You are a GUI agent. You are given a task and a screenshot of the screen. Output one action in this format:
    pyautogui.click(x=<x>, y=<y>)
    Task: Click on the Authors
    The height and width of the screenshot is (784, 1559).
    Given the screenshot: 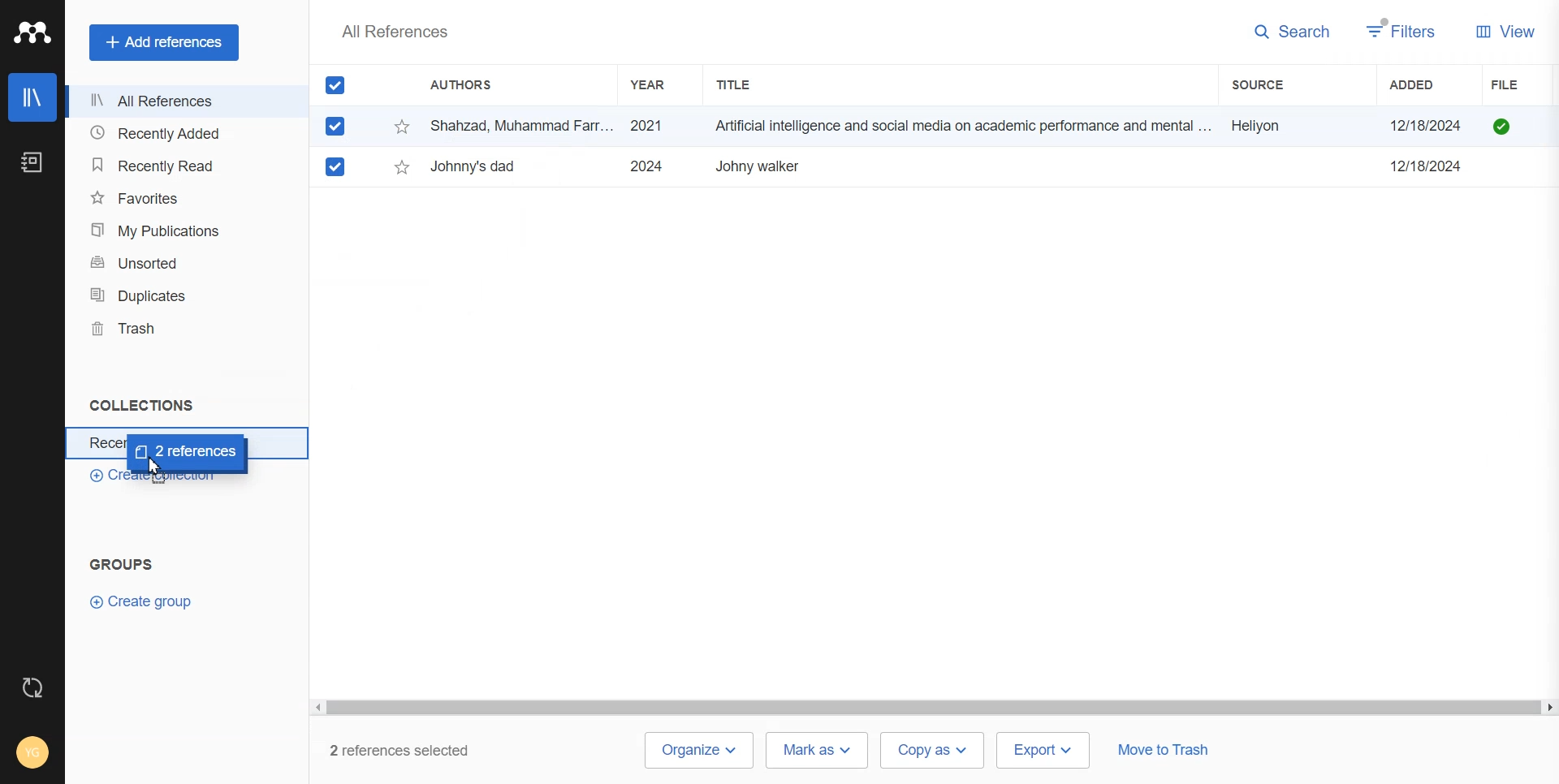 What is the action you would take?
    pyautogui.click(x=469, y=86)
    